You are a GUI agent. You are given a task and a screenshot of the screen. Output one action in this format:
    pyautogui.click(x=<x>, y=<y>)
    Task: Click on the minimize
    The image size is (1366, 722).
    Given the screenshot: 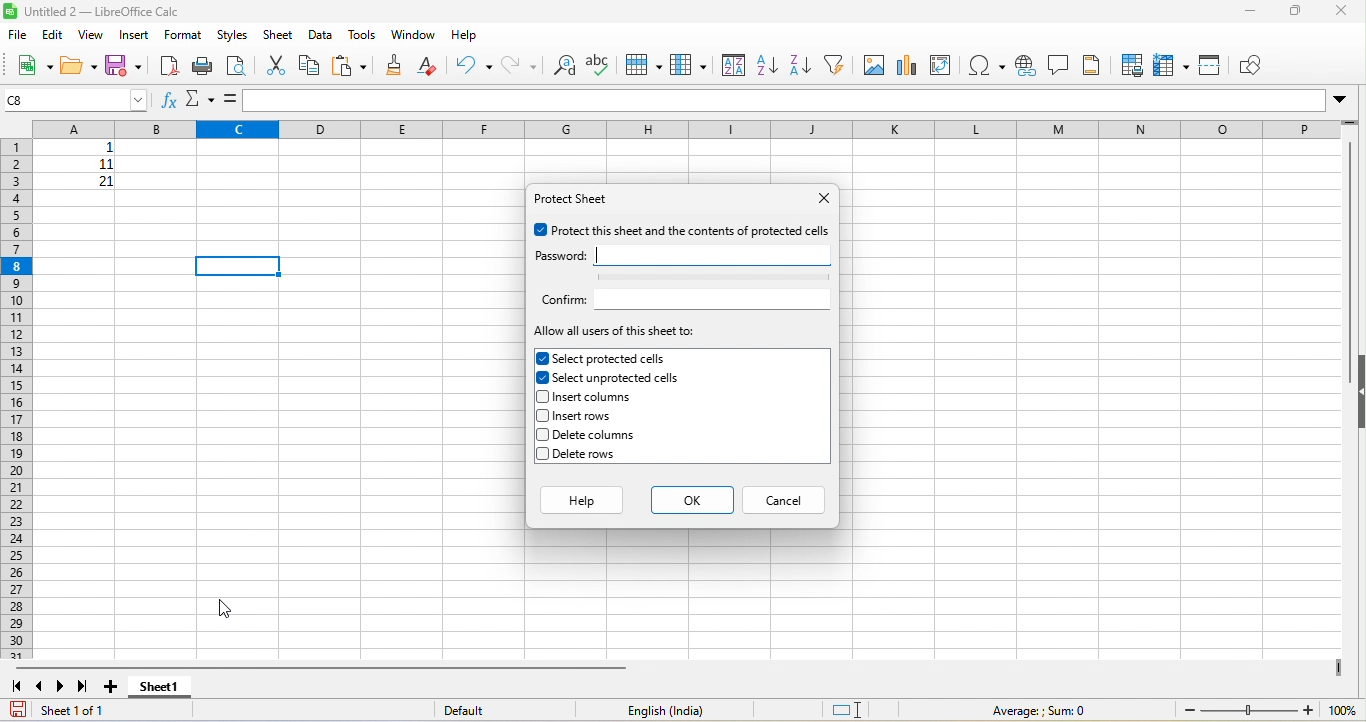 What is the action you would take?
    pyautogui.click(x=1253, y=12)
    